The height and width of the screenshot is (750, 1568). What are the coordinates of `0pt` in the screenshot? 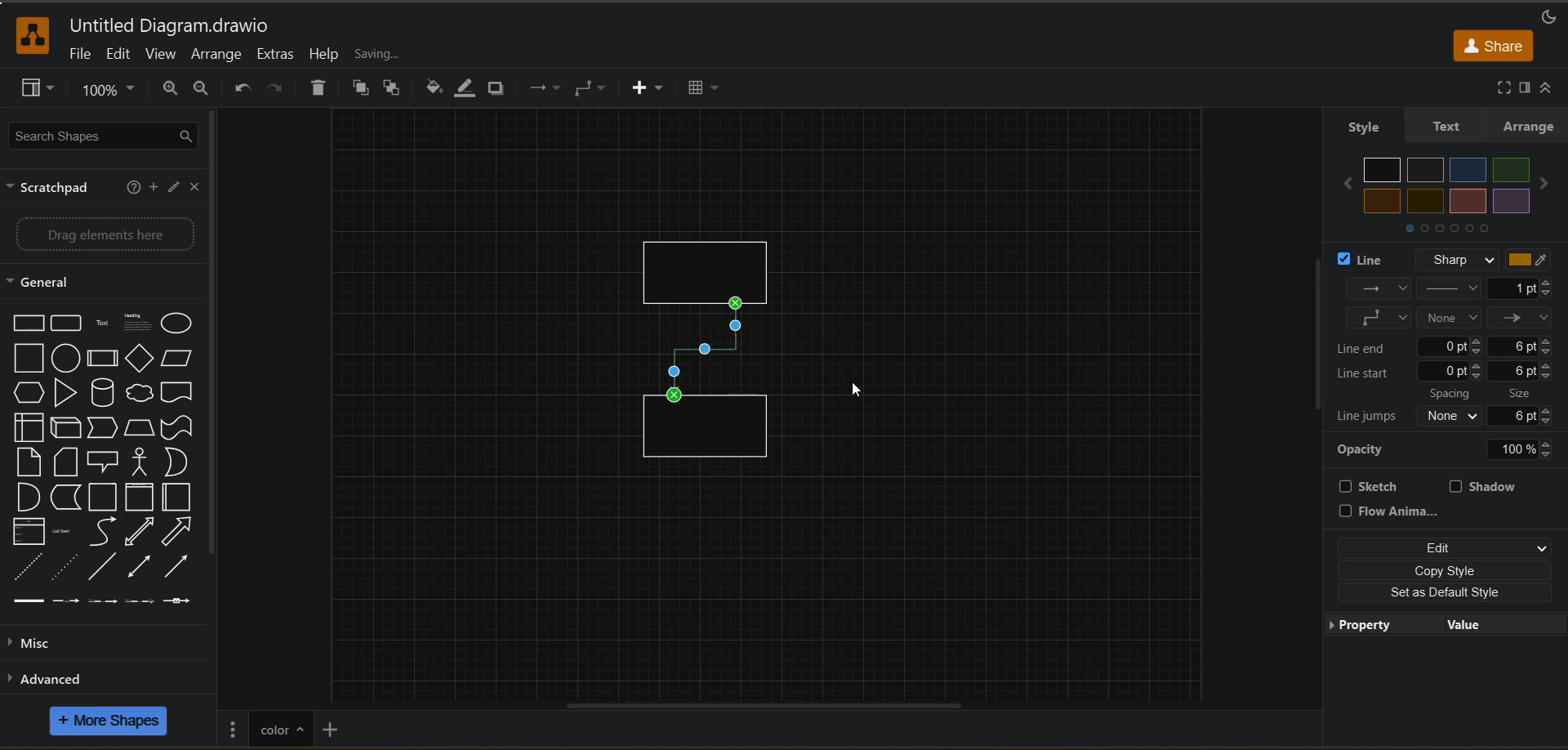 It's located at (1451, 371).